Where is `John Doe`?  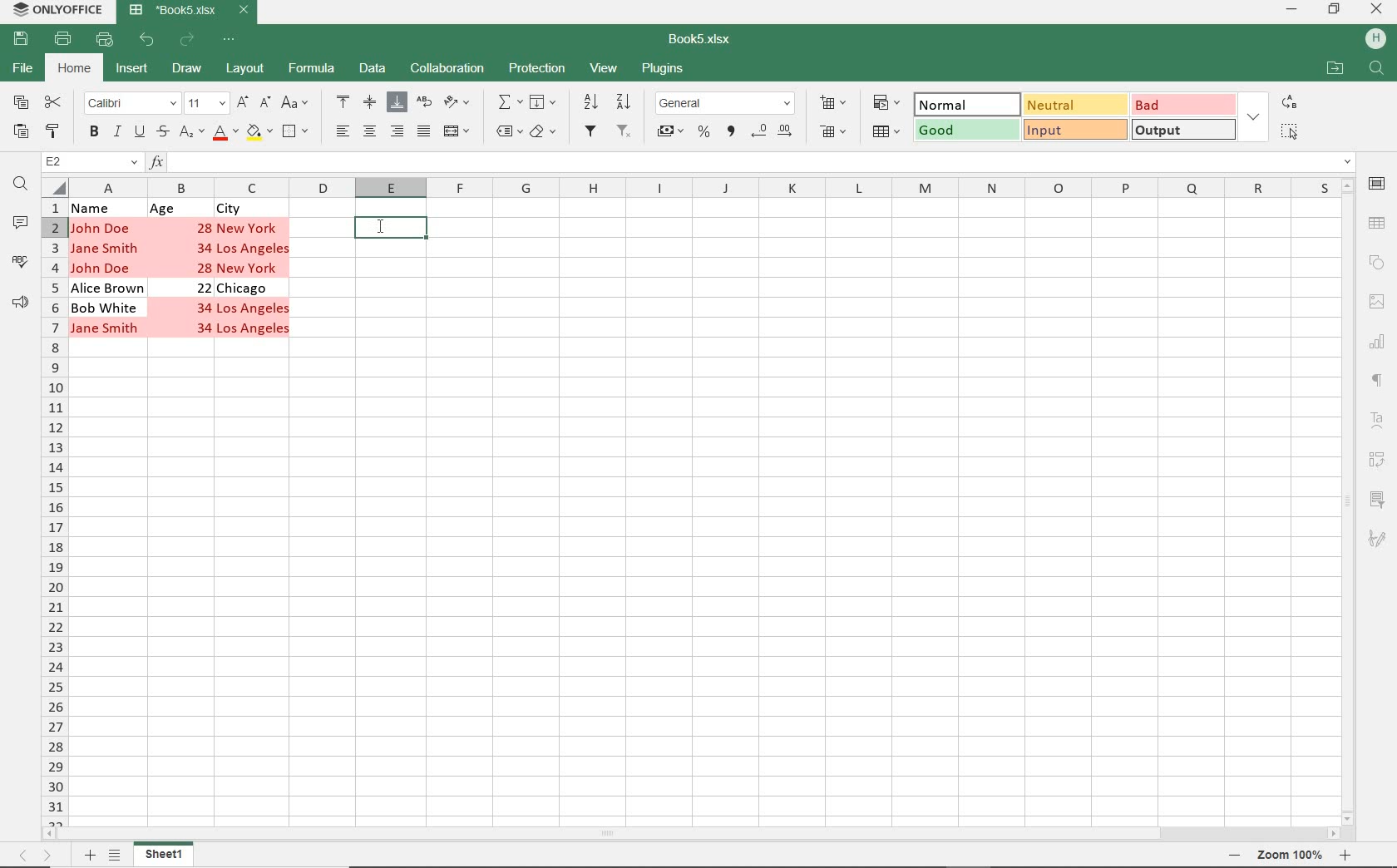 John Doe is located at coordinates (105, 268).